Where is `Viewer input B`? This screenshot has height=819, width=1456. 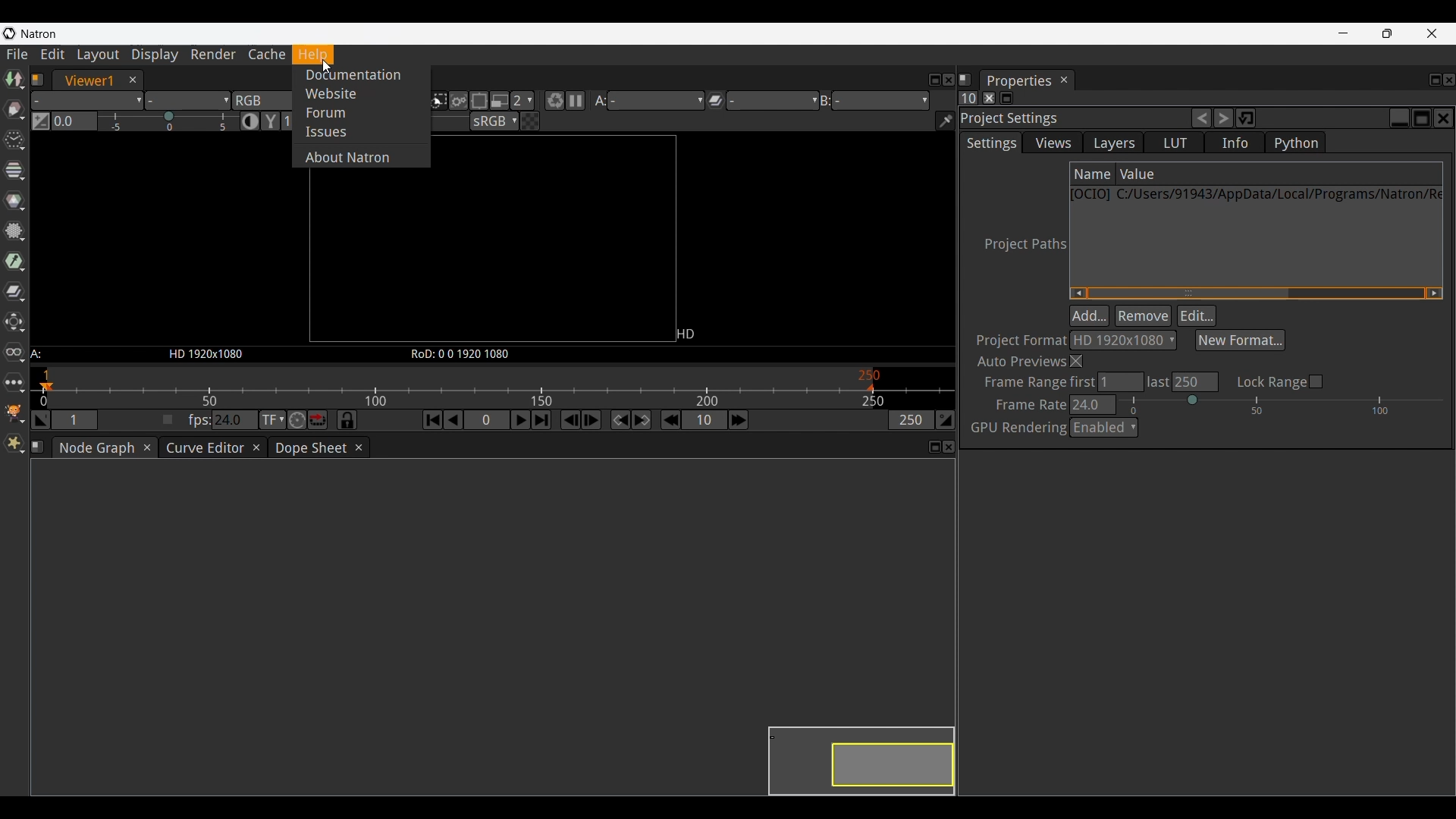
Viewer input B is located at coordinates (874, 99).